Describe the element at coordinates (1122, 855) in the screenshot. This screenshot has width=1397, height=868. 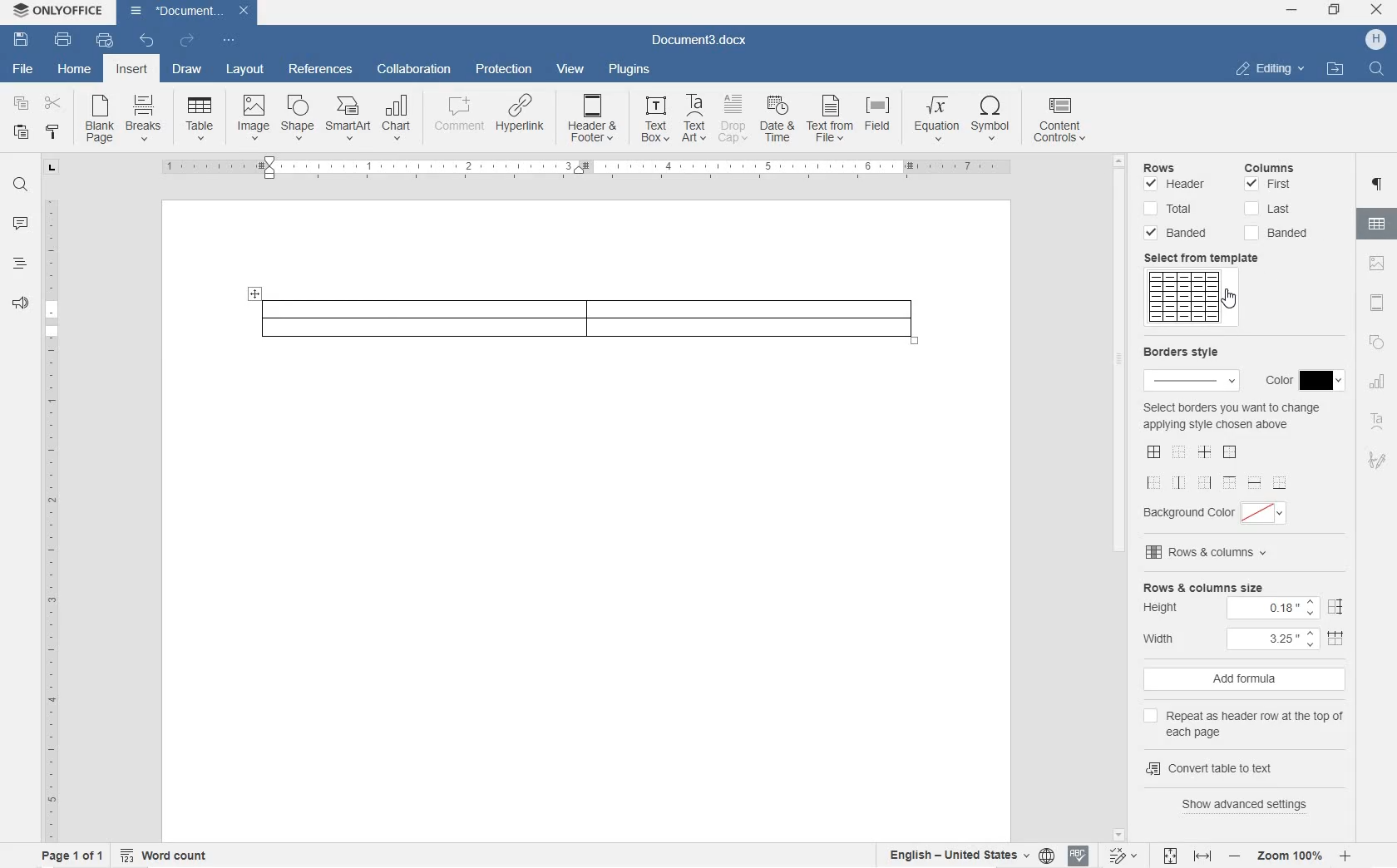
I see `TRACK CHANGES` at that location.